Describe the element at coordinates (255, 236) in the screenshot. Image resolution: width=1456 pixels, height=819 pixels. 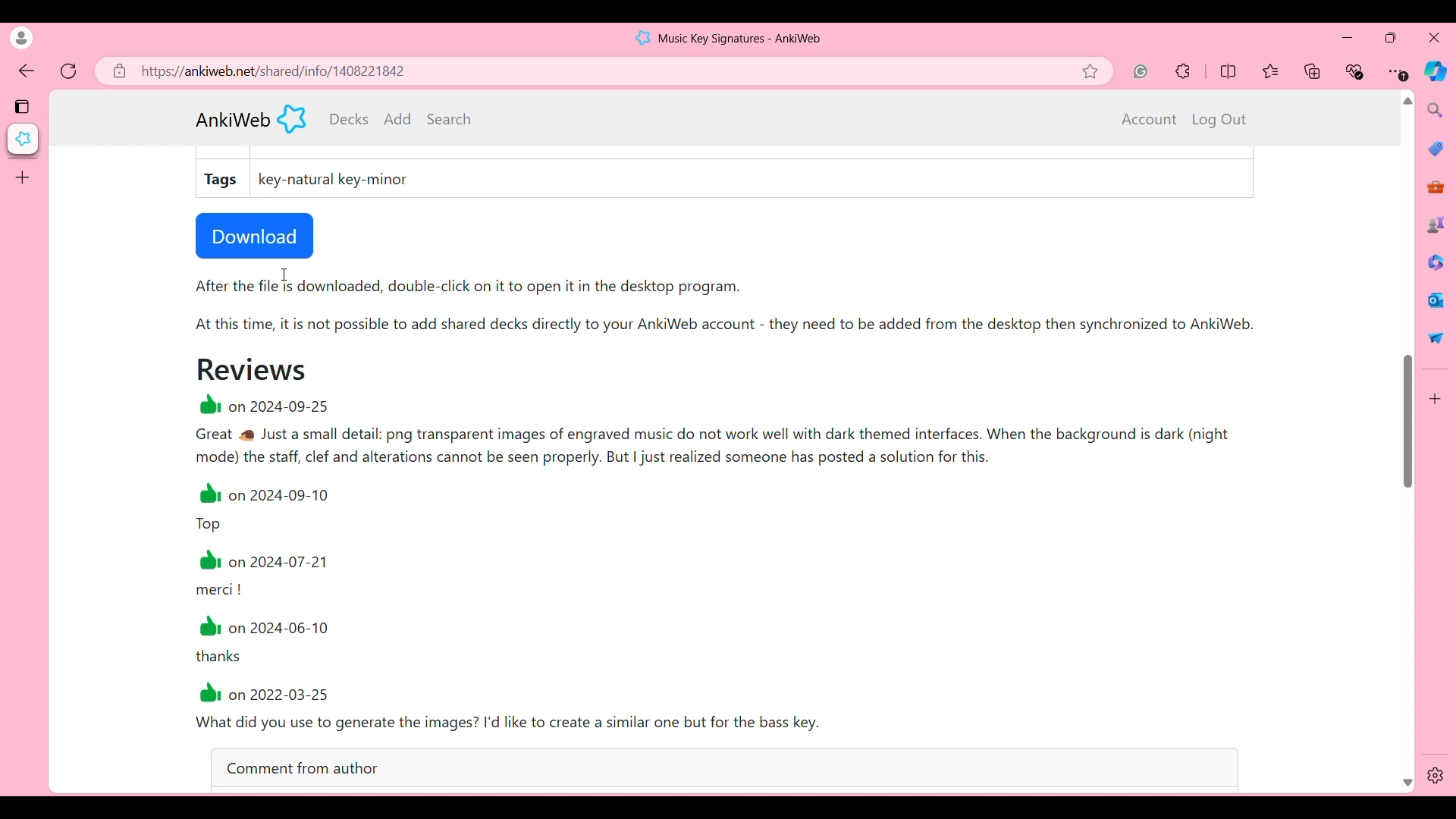
I see `Download` at that location.